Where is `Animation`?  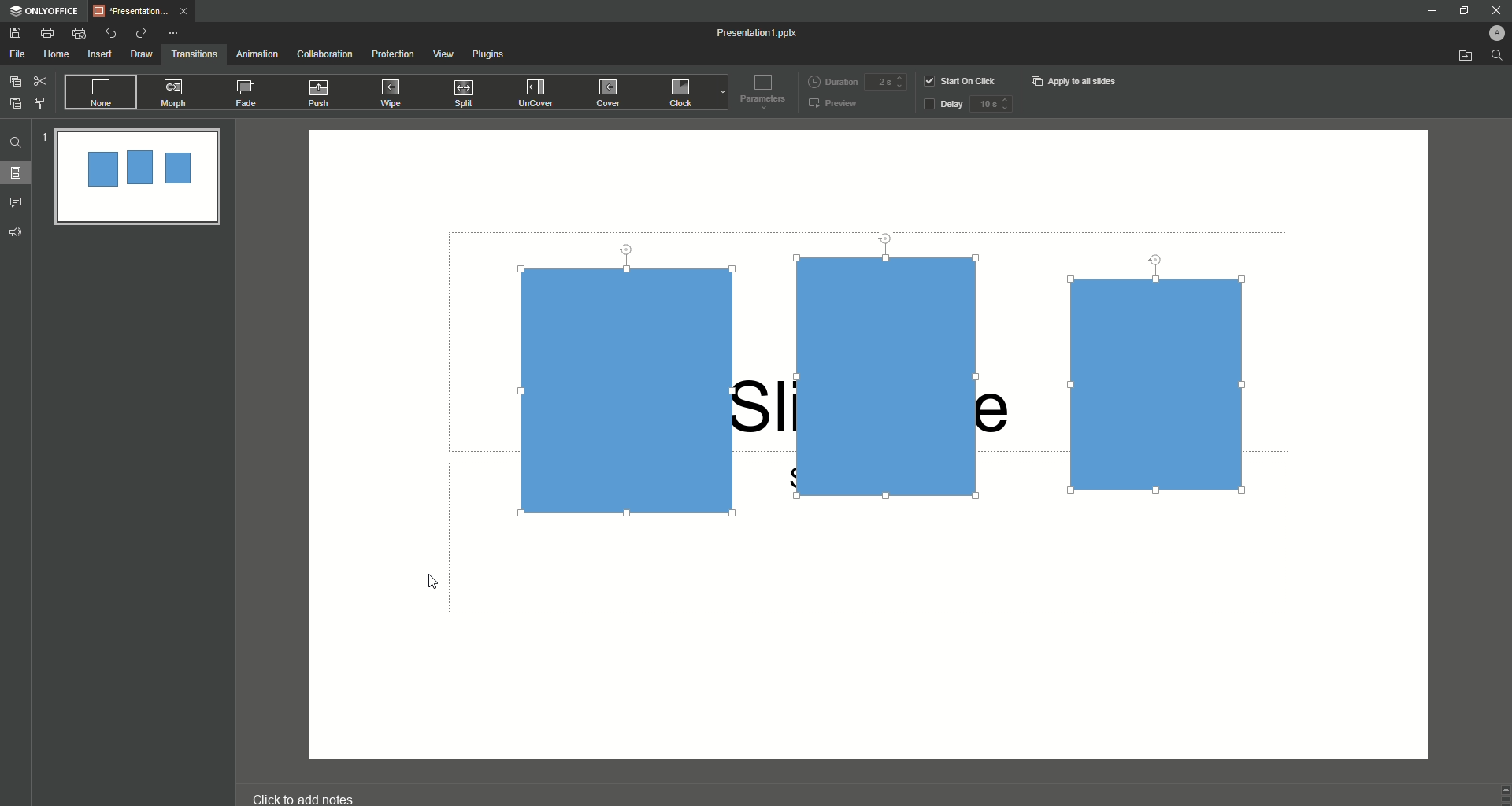
Animation is located at coordinates (256, 54).